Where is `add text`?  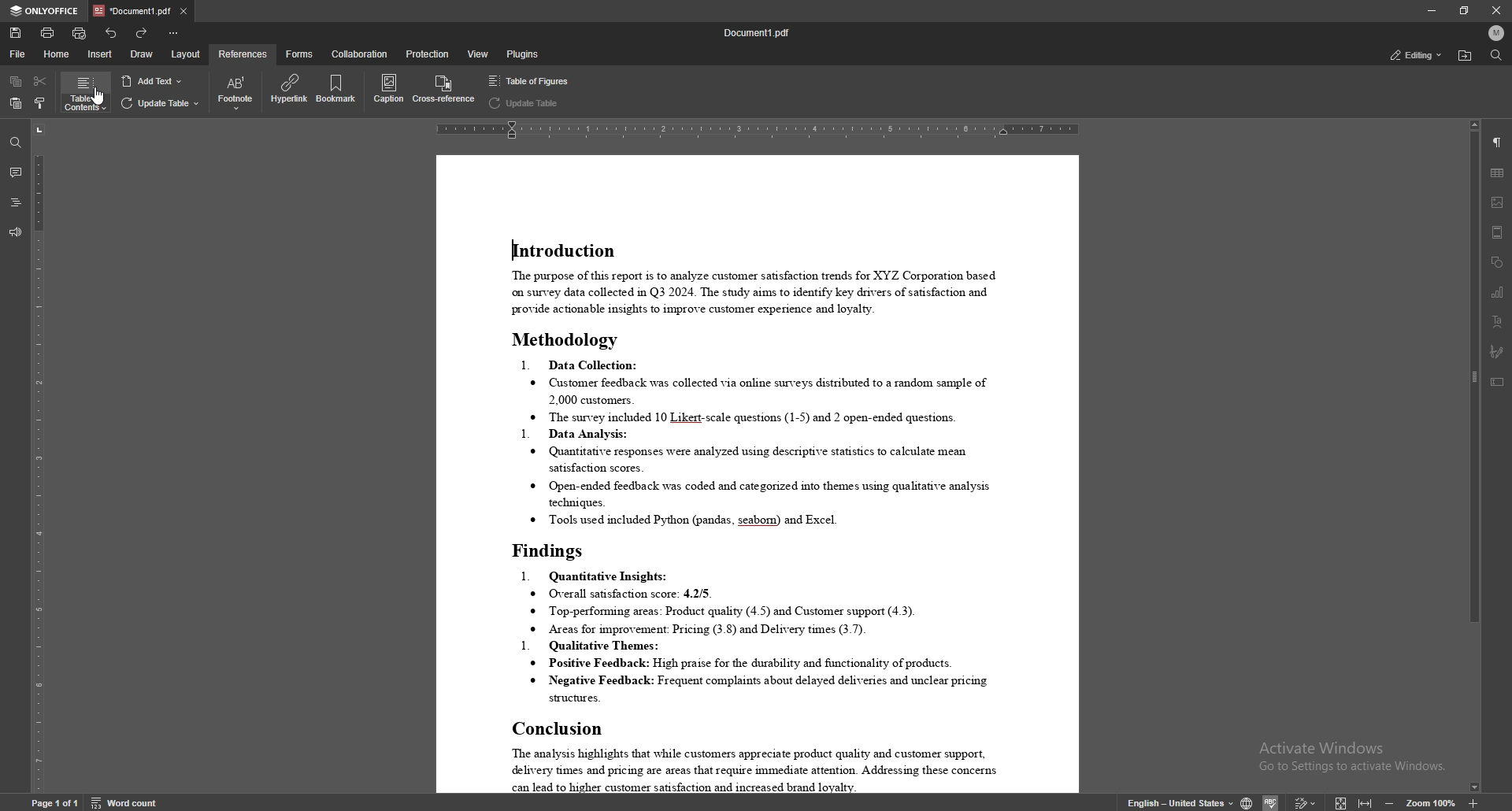 add text is located at coordinates (155, 80).